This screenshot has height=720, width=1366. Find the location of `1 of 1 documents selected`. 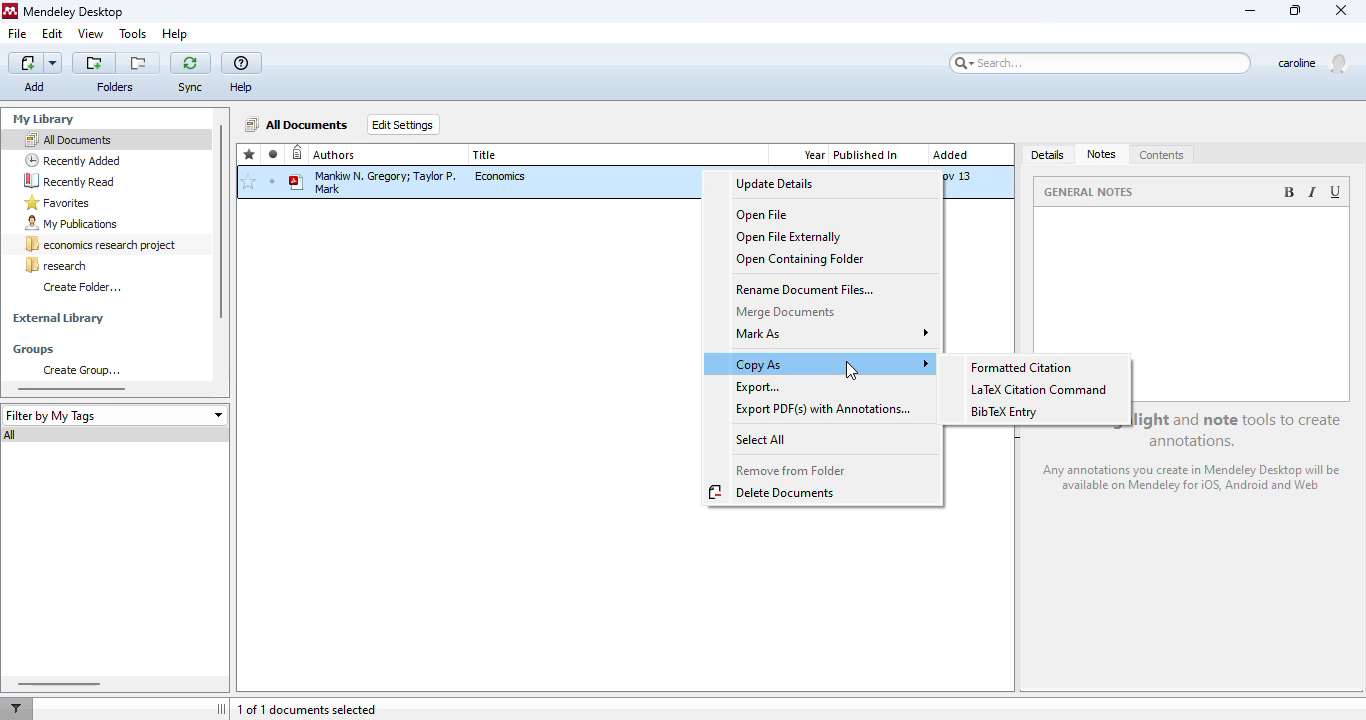

1 of 1 documents selected is located at coordinates (307, 710).